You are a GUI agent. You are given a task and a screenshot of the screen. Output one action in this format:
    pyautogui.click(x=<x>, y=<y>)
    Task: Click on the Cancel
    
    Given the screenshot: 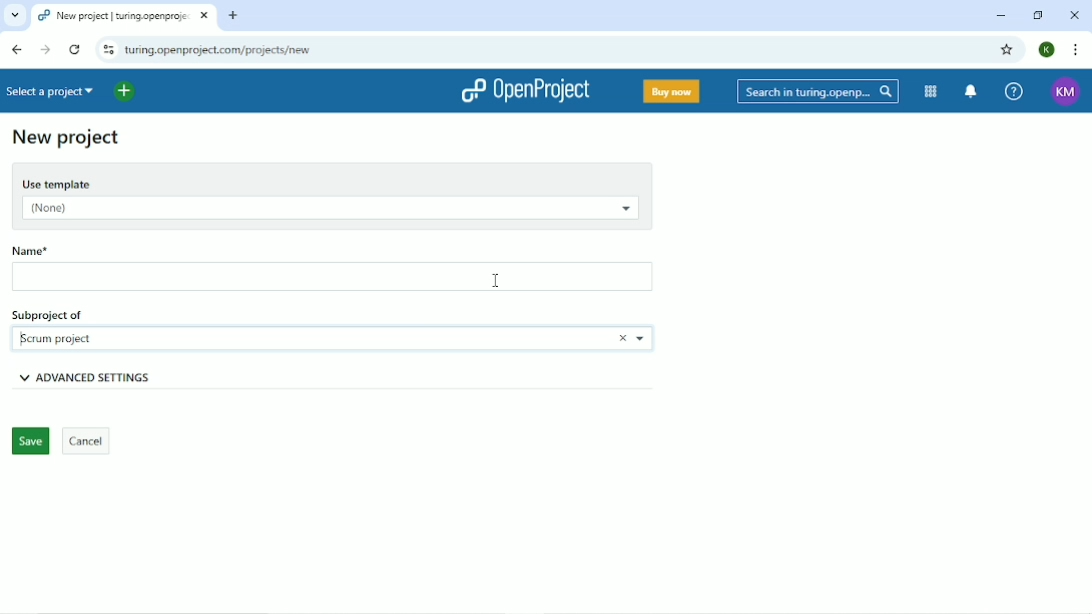 What is the action you would take?
    pyautogui.click(x=87, y=441)
    